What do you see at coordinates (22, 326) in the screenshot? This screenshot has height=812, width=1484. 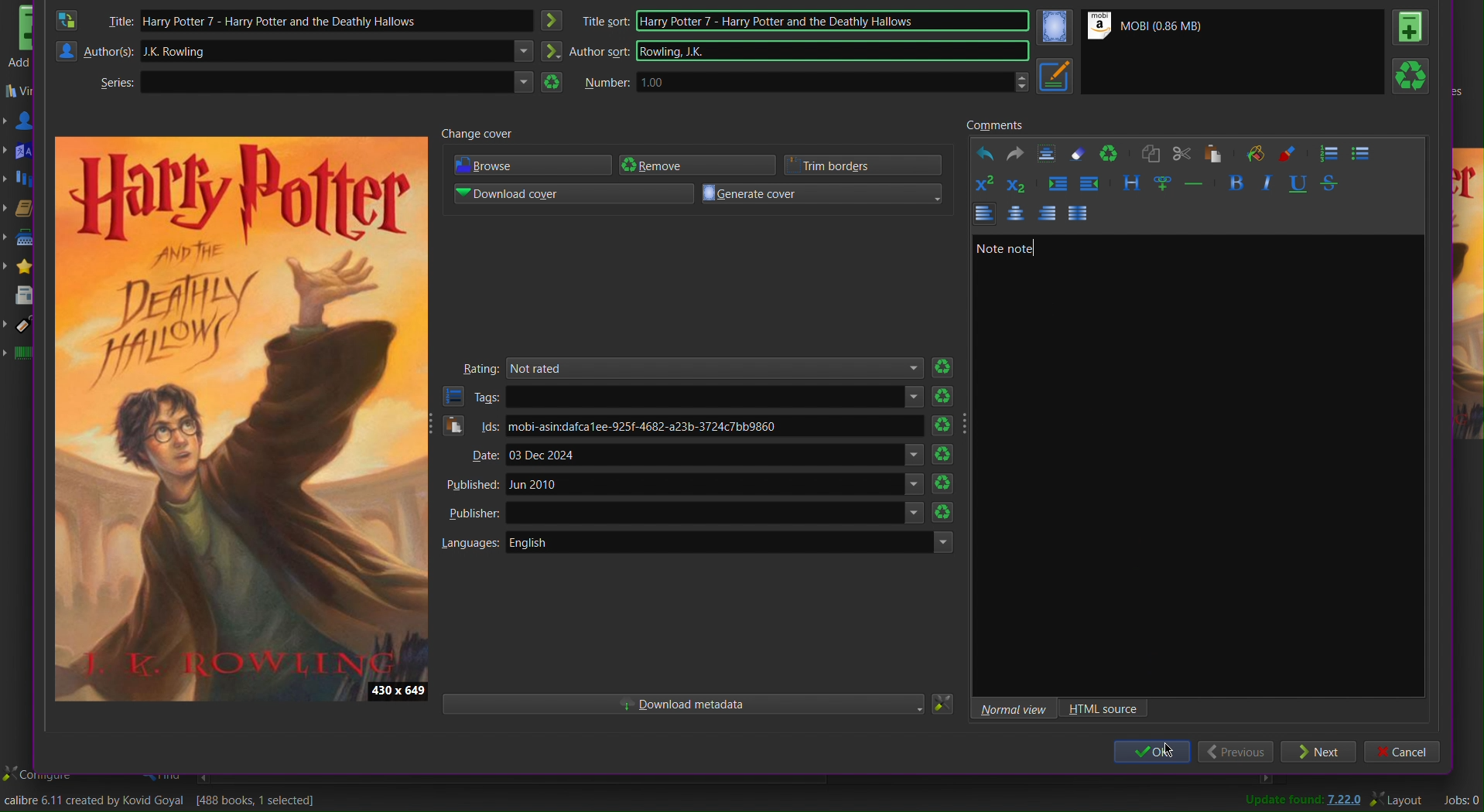 I see `Tags` at bounding box center [22, 326].